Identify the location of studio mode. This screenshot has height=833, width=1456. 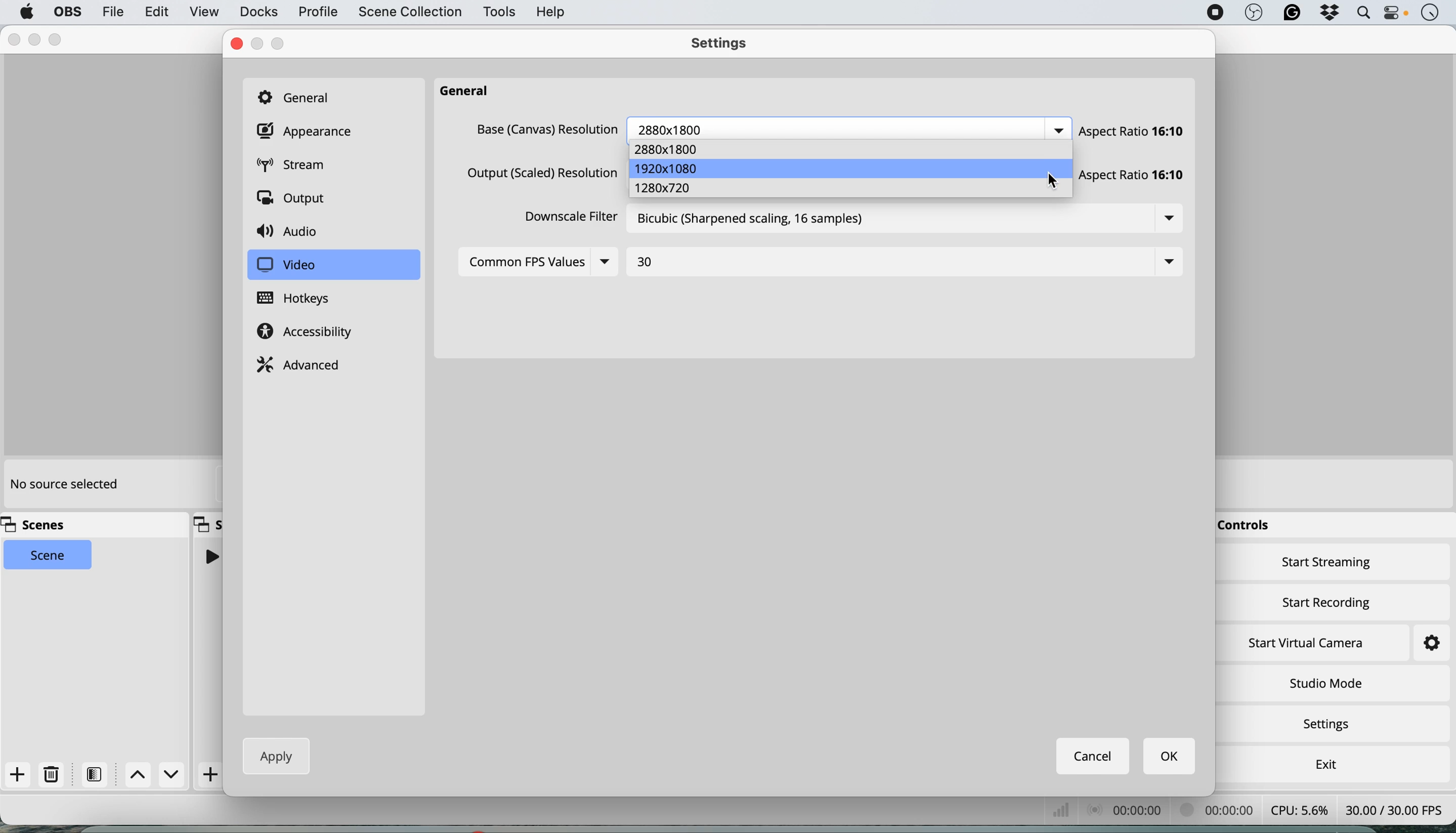
(1325, 683).